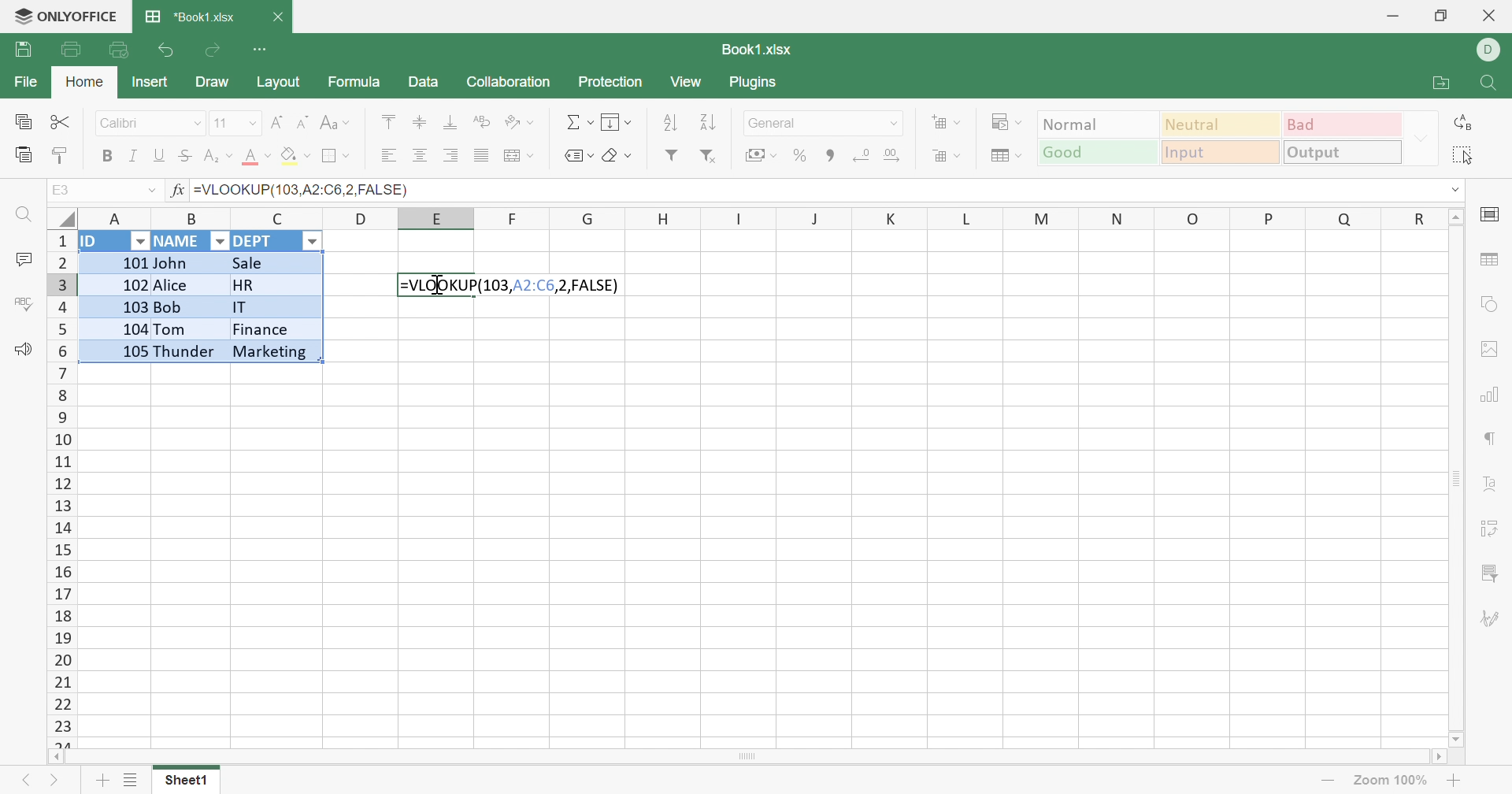 The height and width of the screenshot is (794, 1512). What do you see at coordinates (758, 84) in the screenshot?
I see `Plugins` at bounding box center [758, 84].